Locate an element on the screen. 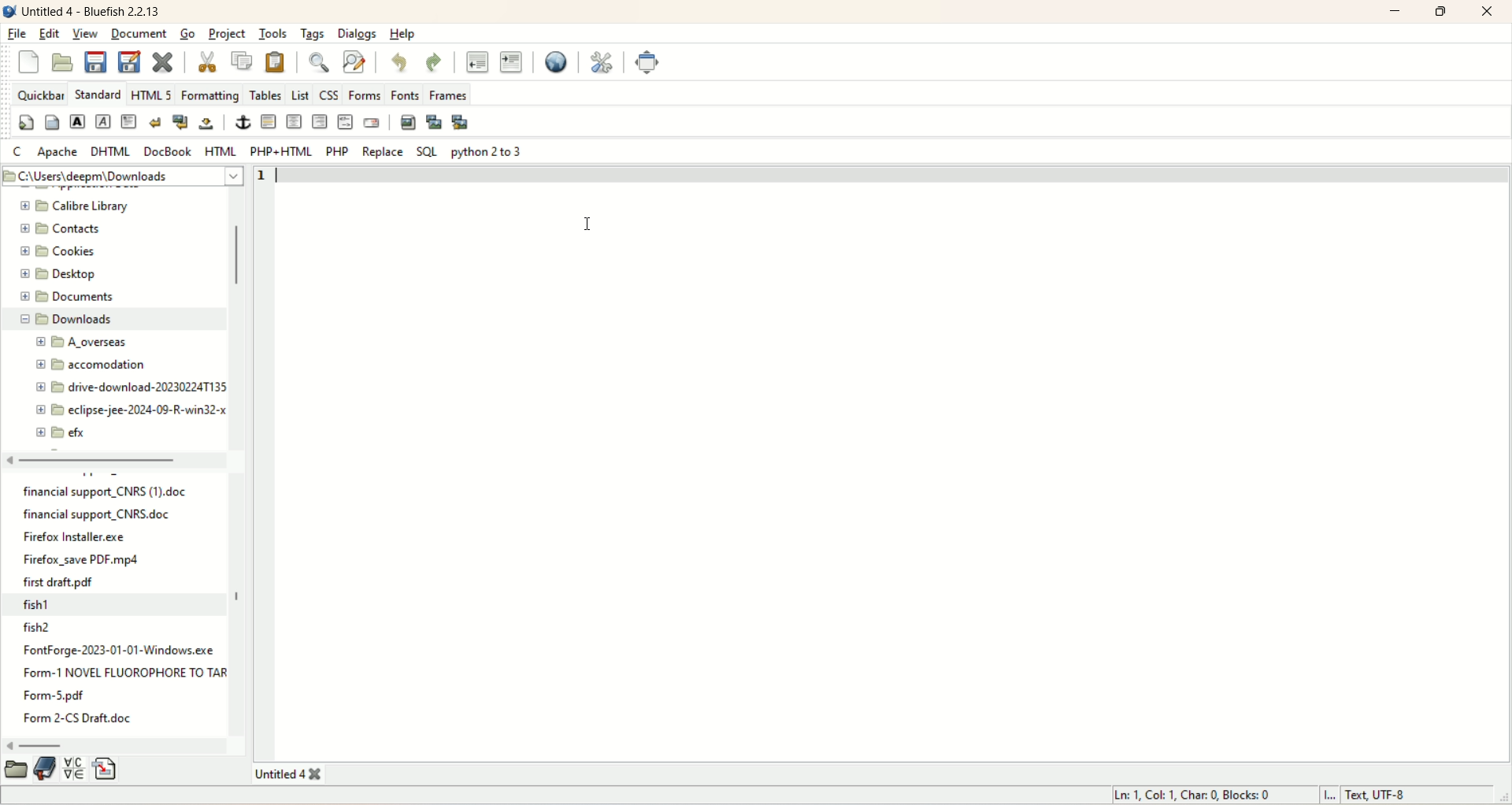 The height and width of the screenshot is (805, 1512). line number is located at coordinates (261, 176).